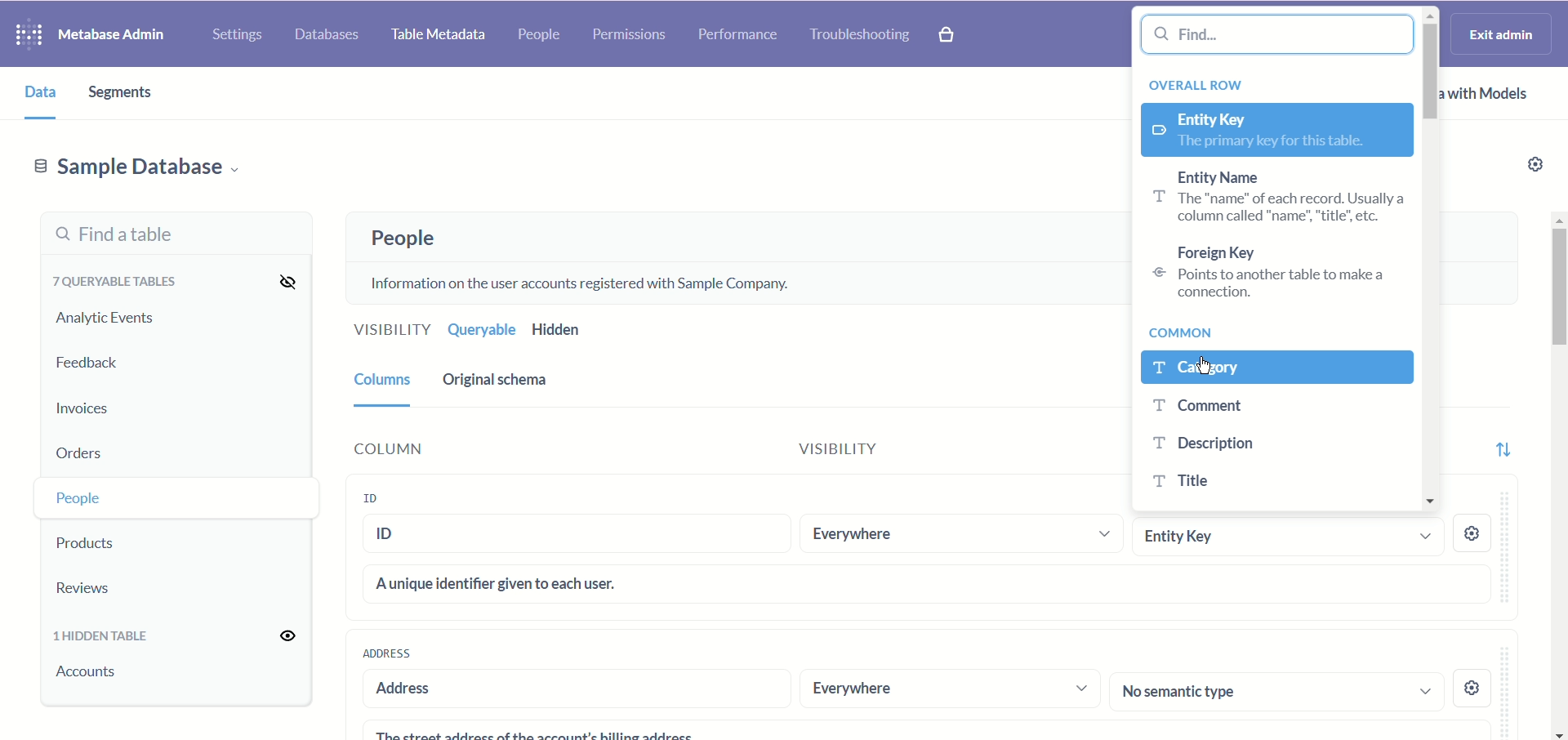  What do you see at coordinates (957, 35) in the screenshot?
I see `Explore paid features` at bounding box center [957, 35].